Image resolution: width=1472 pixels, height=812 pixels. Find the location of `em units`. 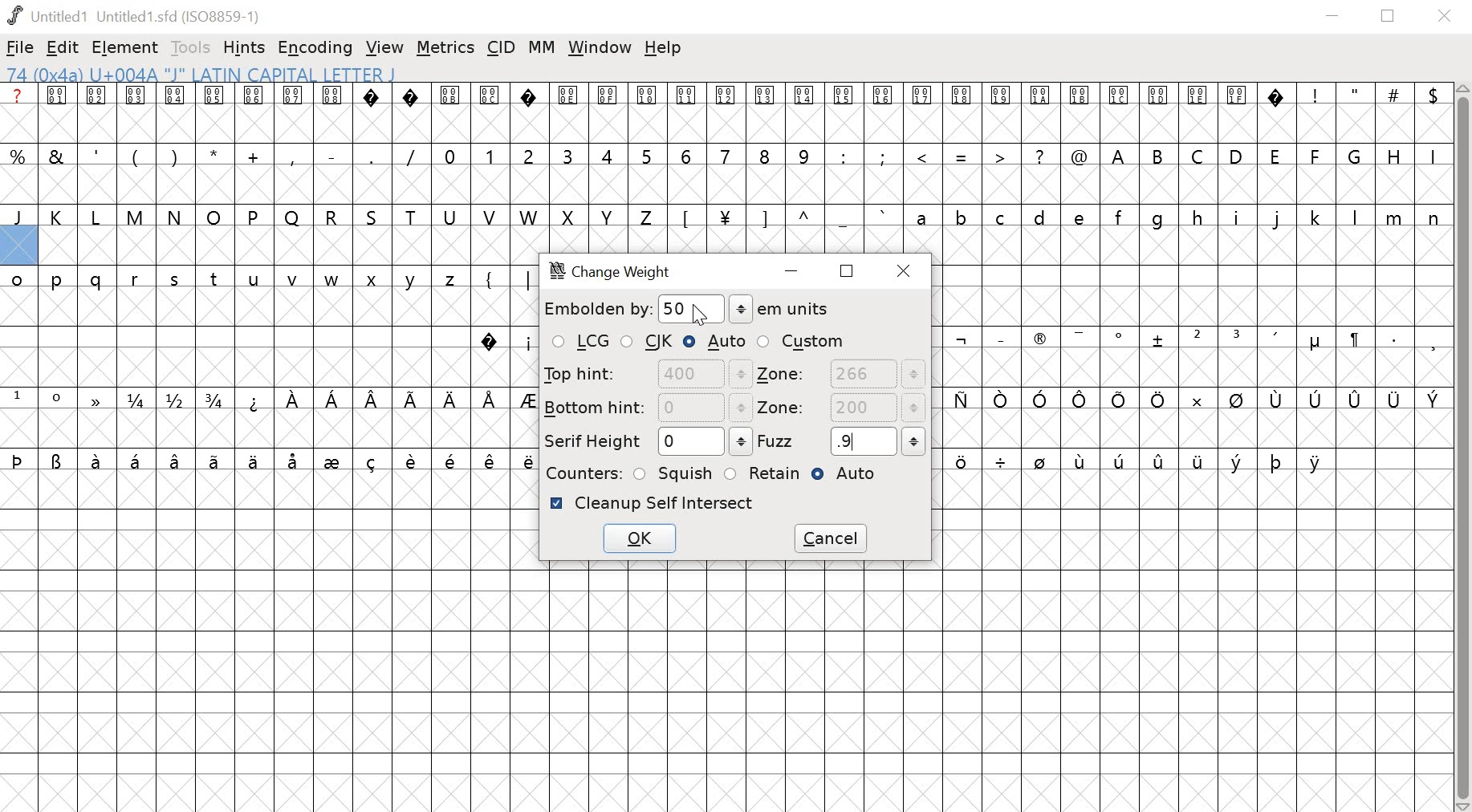

em units is located at coordinates (780, 309).